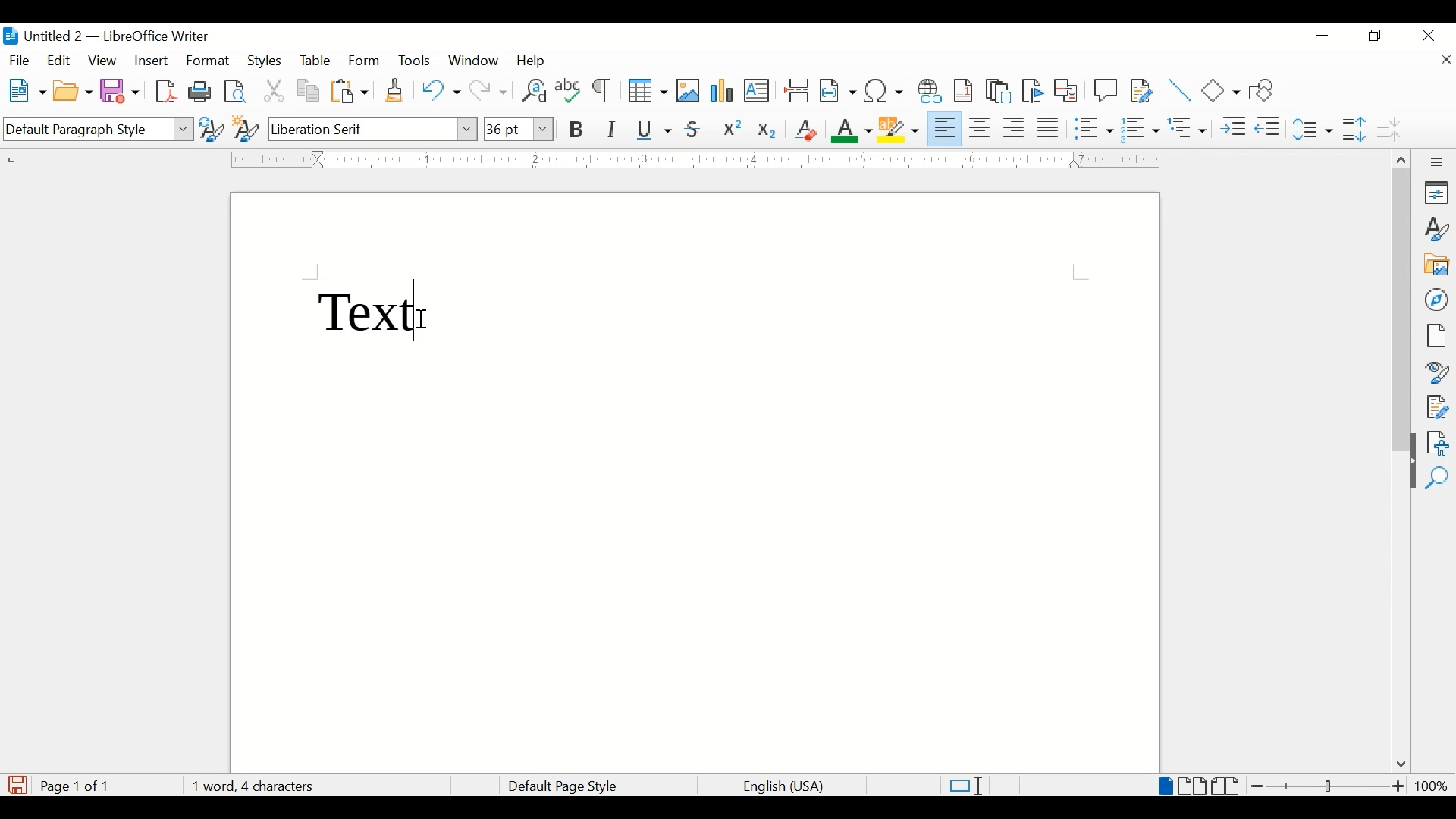  What do you see at coordinates (1015, 129) in the screenshot?
I see `align right` at bounding box center [1015, 129].